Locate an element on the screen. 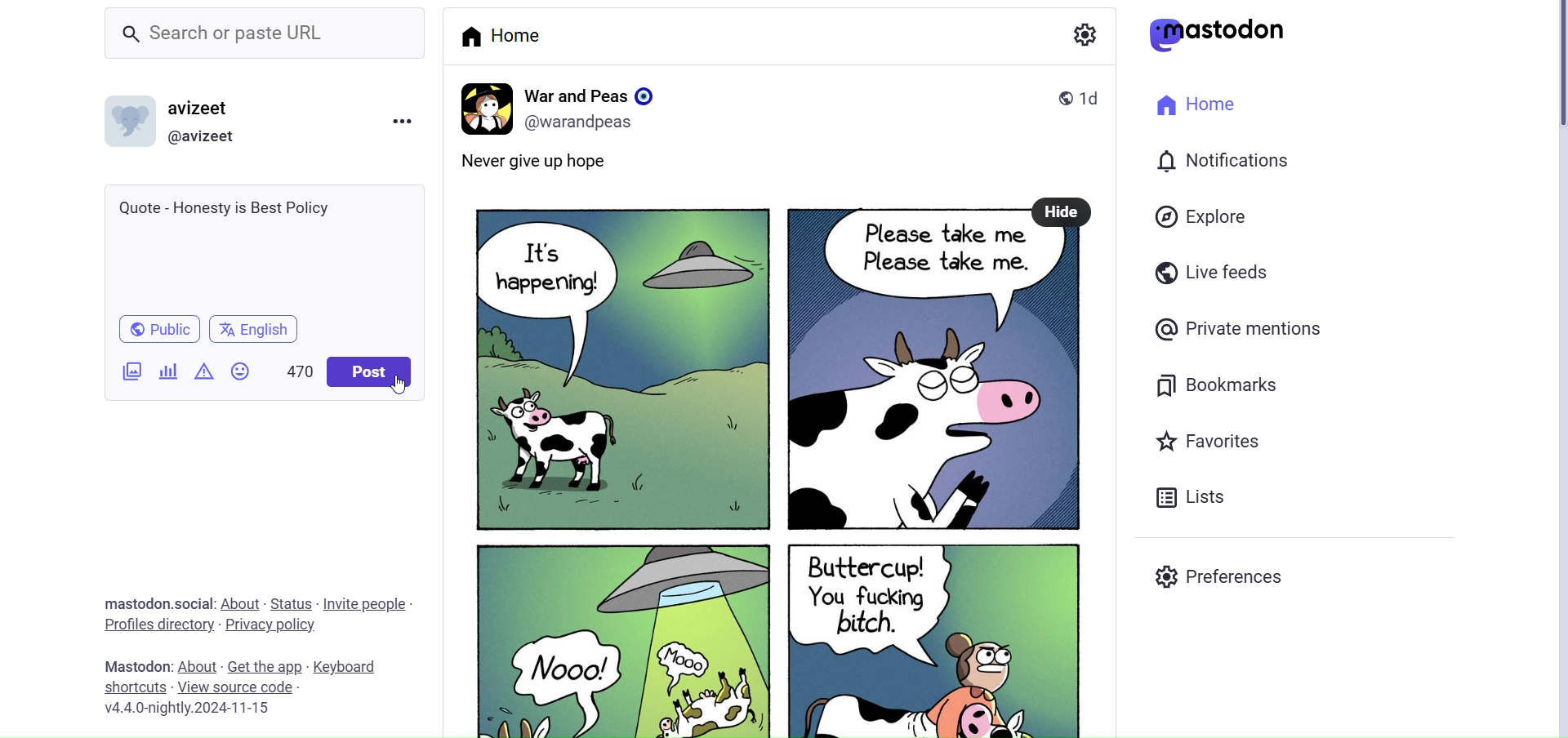 Image resolution: width=1568 pixels, height=738 pixels. mastodon is located at coordinates (135, 665).